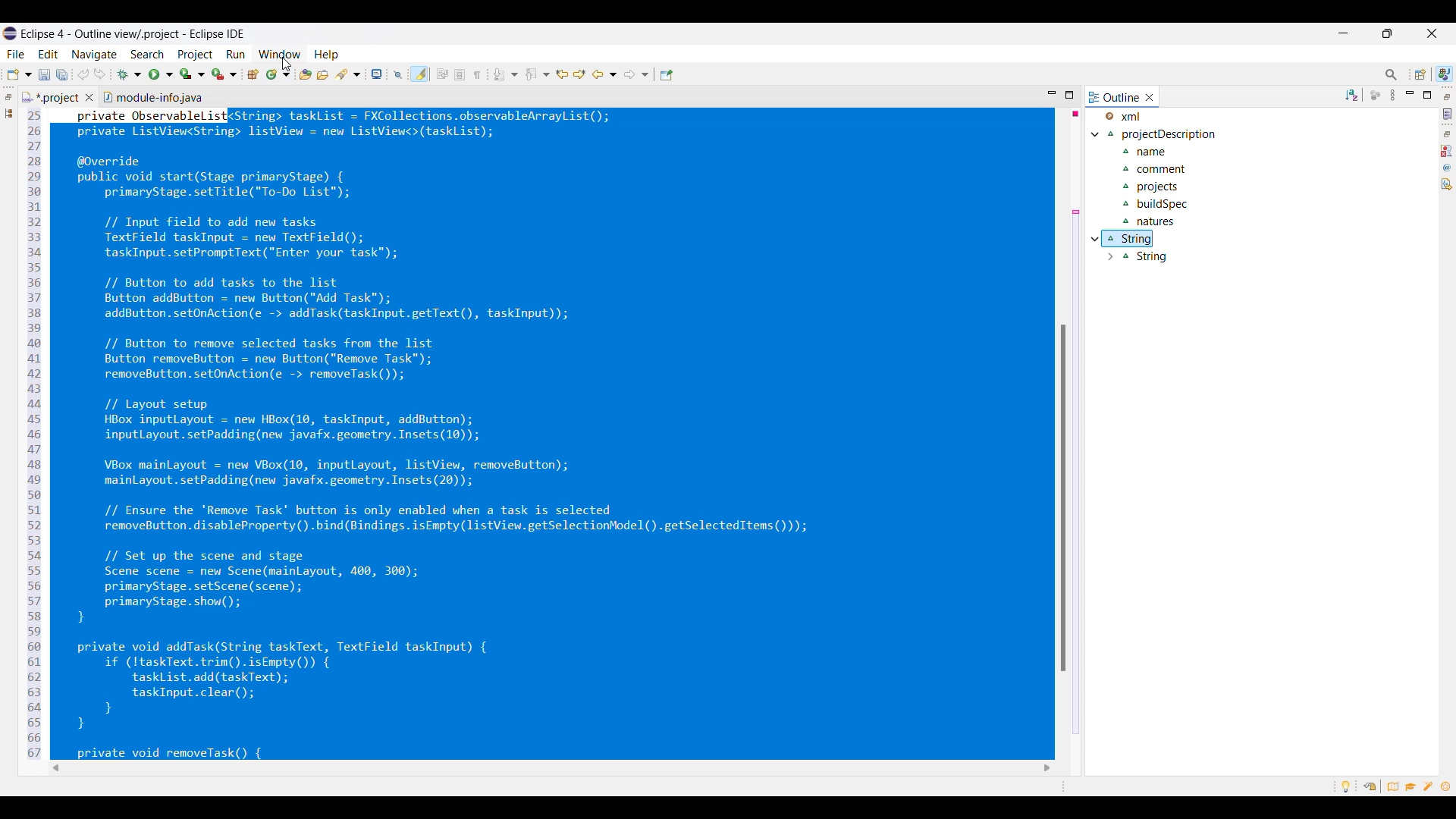  What do you see at coordinates (1447, 184) in the screenshot?
I see `Declaration` at bounding box center [1447, 184].